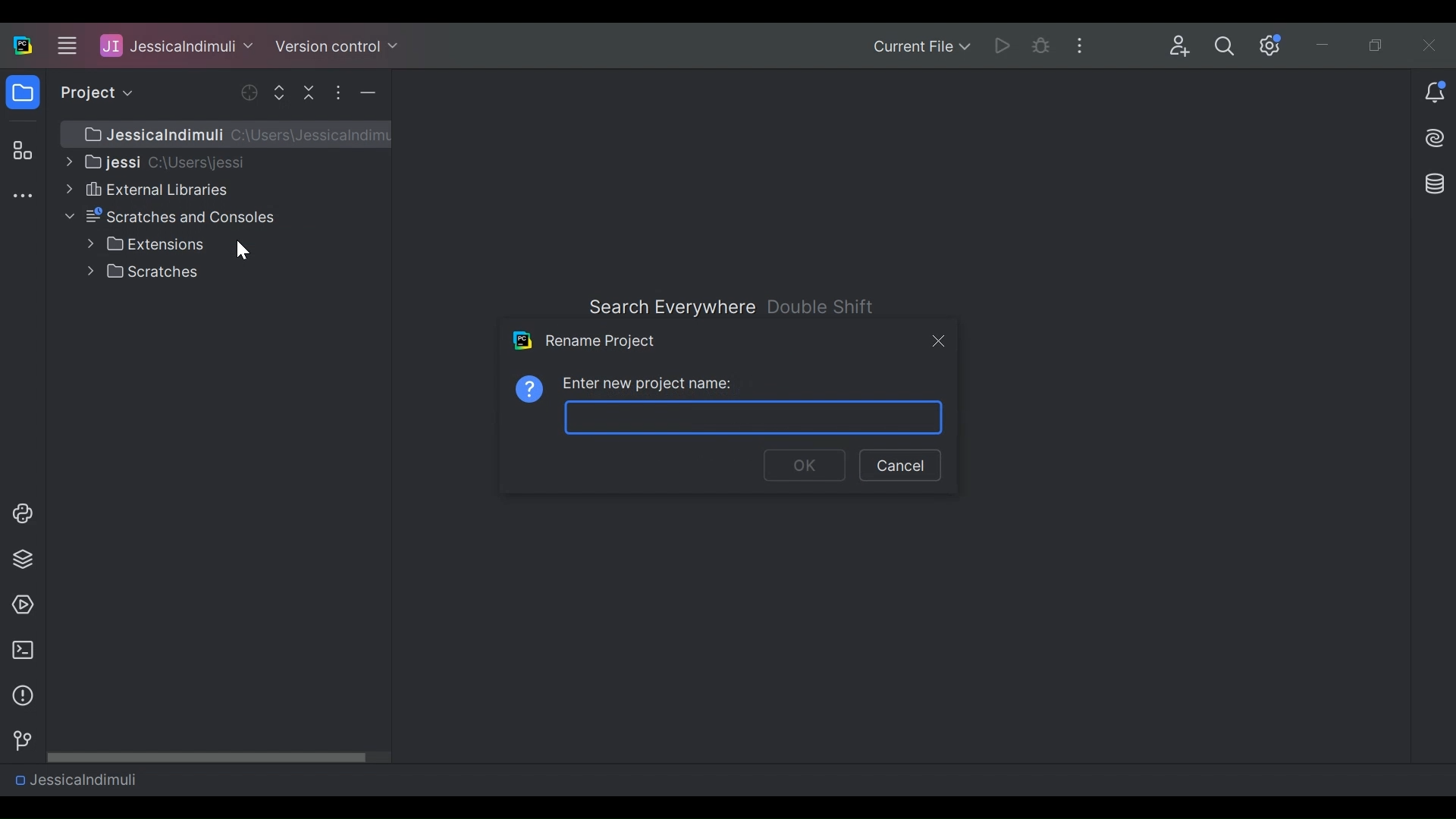 The image size is (1456, 819). What do you see at coordinates (173, 217) in the screenshot?
I see `Scratches and Console File` at bounding box center [173, 217].